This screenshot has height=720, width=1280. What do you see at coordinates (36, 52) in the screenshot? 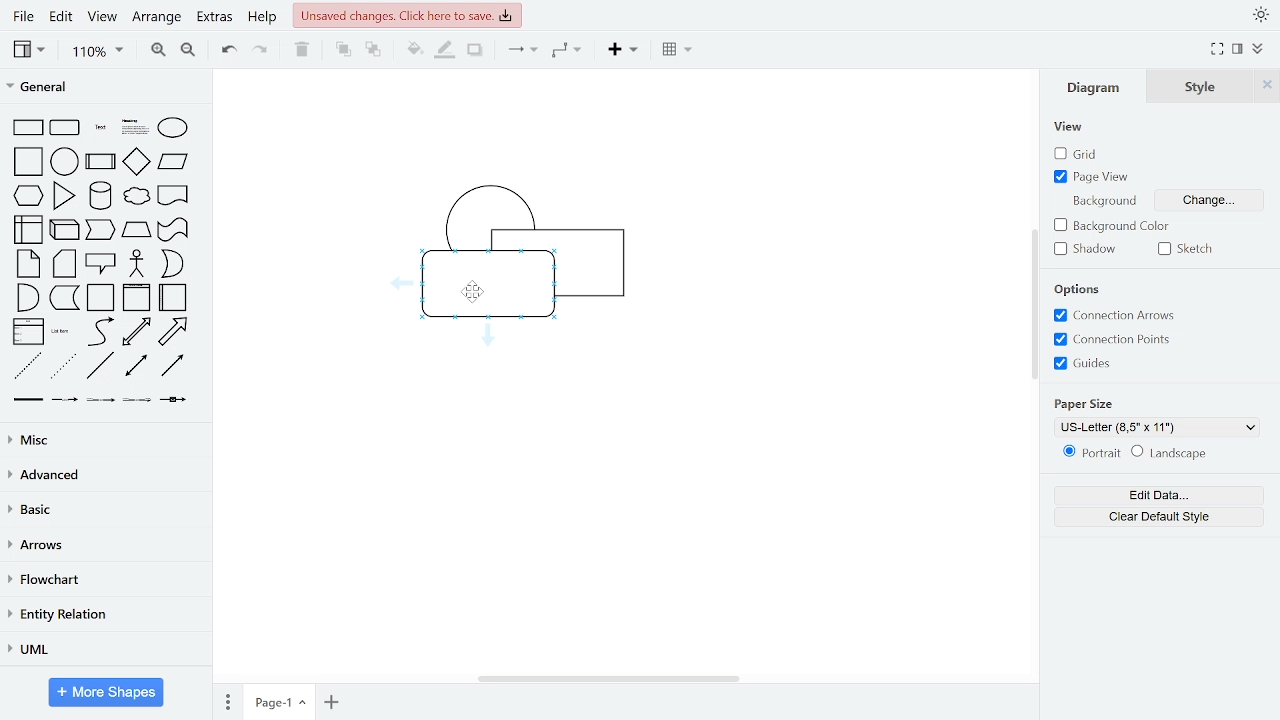
I see `view` at bounding box center [36, 52].